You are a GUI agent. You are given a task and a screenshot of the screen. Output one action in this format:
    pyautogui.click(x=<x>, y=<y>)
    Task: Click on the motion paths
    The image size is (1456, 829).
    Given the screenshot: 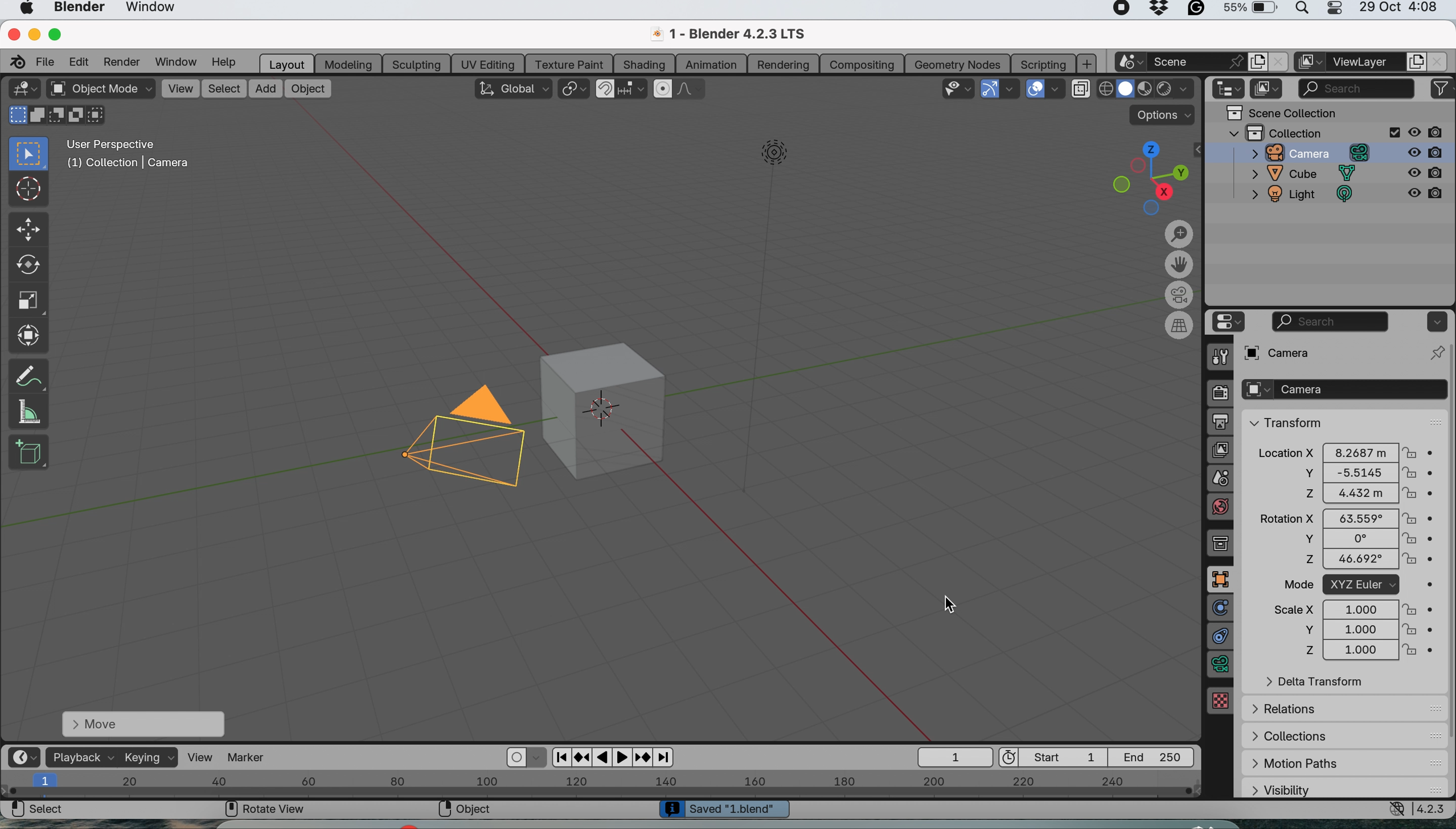 What is the action you would take?
    pyautogui.click(x=1310, y=764)
    